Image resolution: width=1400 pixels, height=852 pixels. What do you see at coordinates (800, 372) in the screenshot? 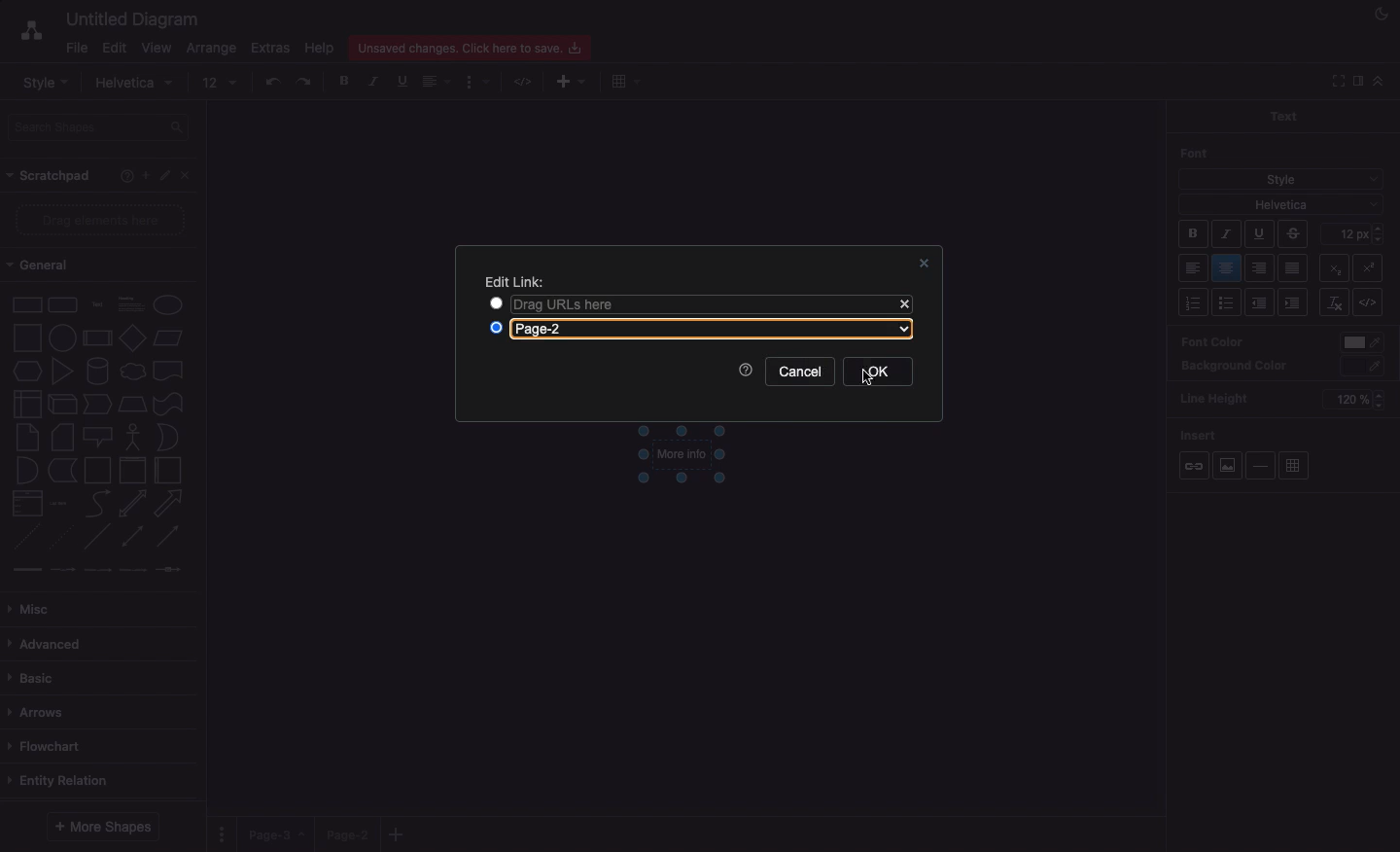
I see `Cancel` at bounding box center [800, 372].